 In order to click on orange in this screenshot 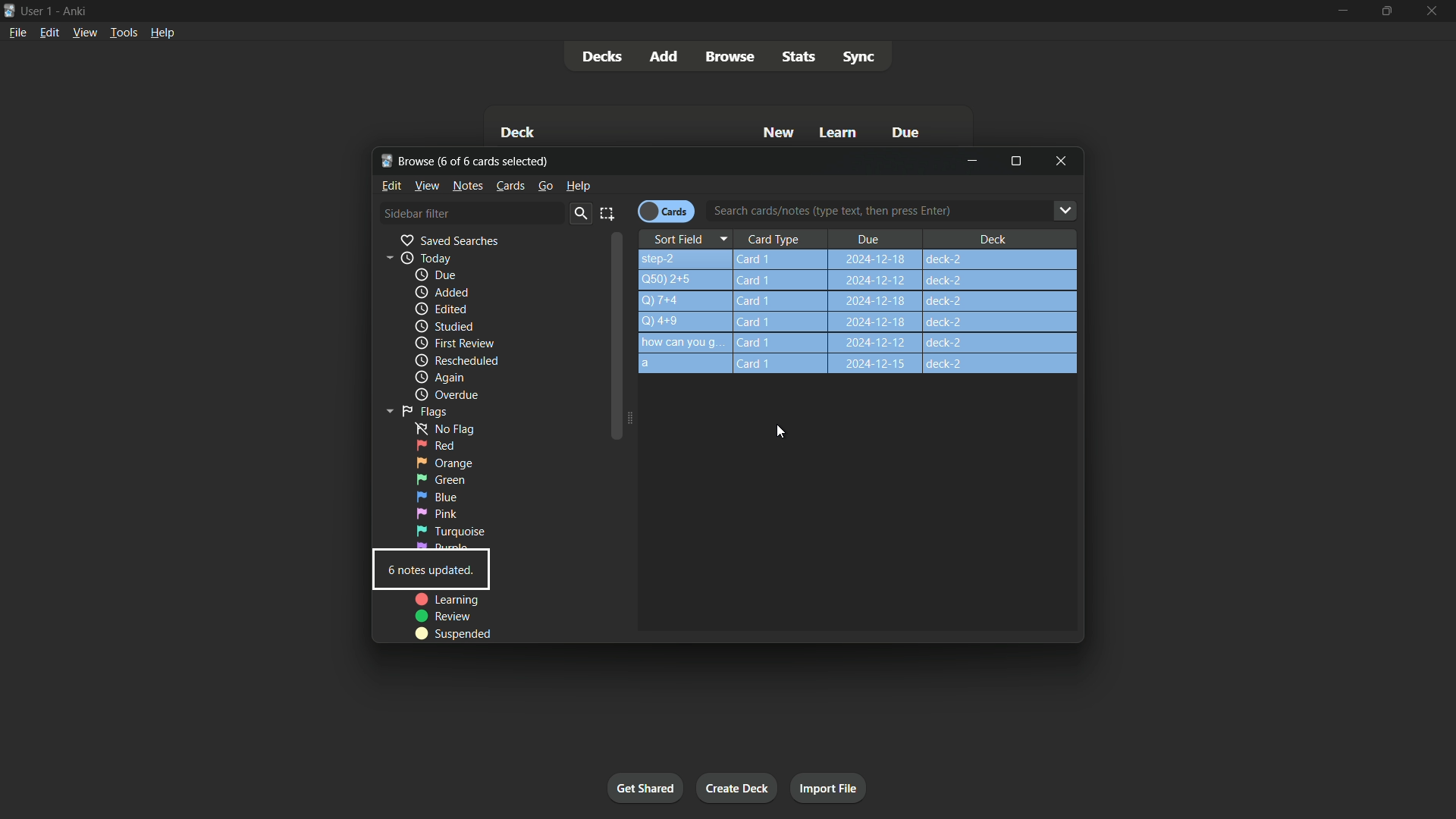, I will do `click(445, 462)`.